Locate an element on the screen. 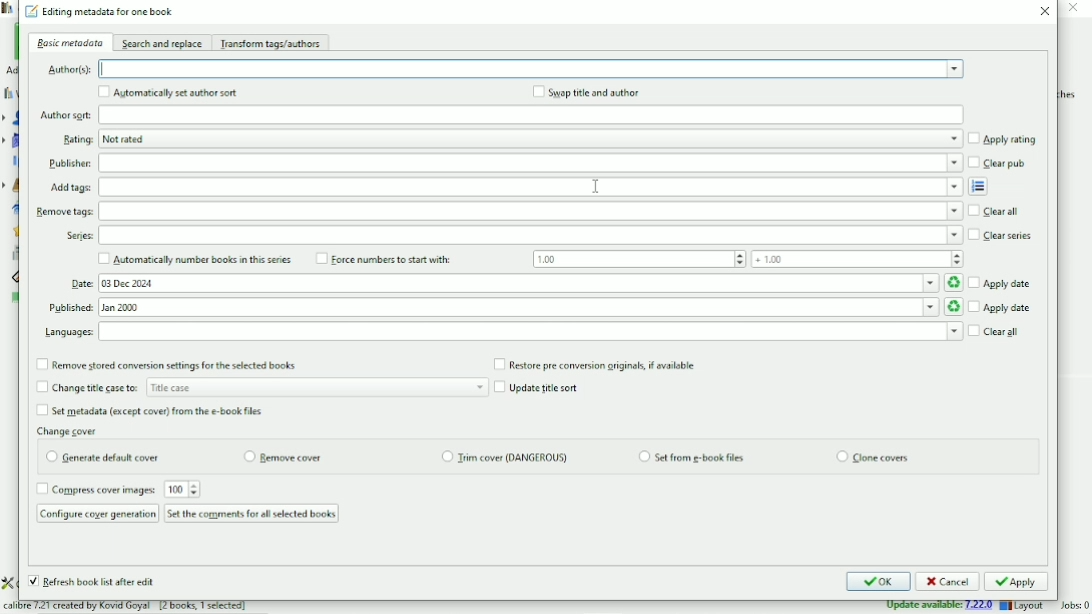  Author(s) is located at coordinates (67, 71).